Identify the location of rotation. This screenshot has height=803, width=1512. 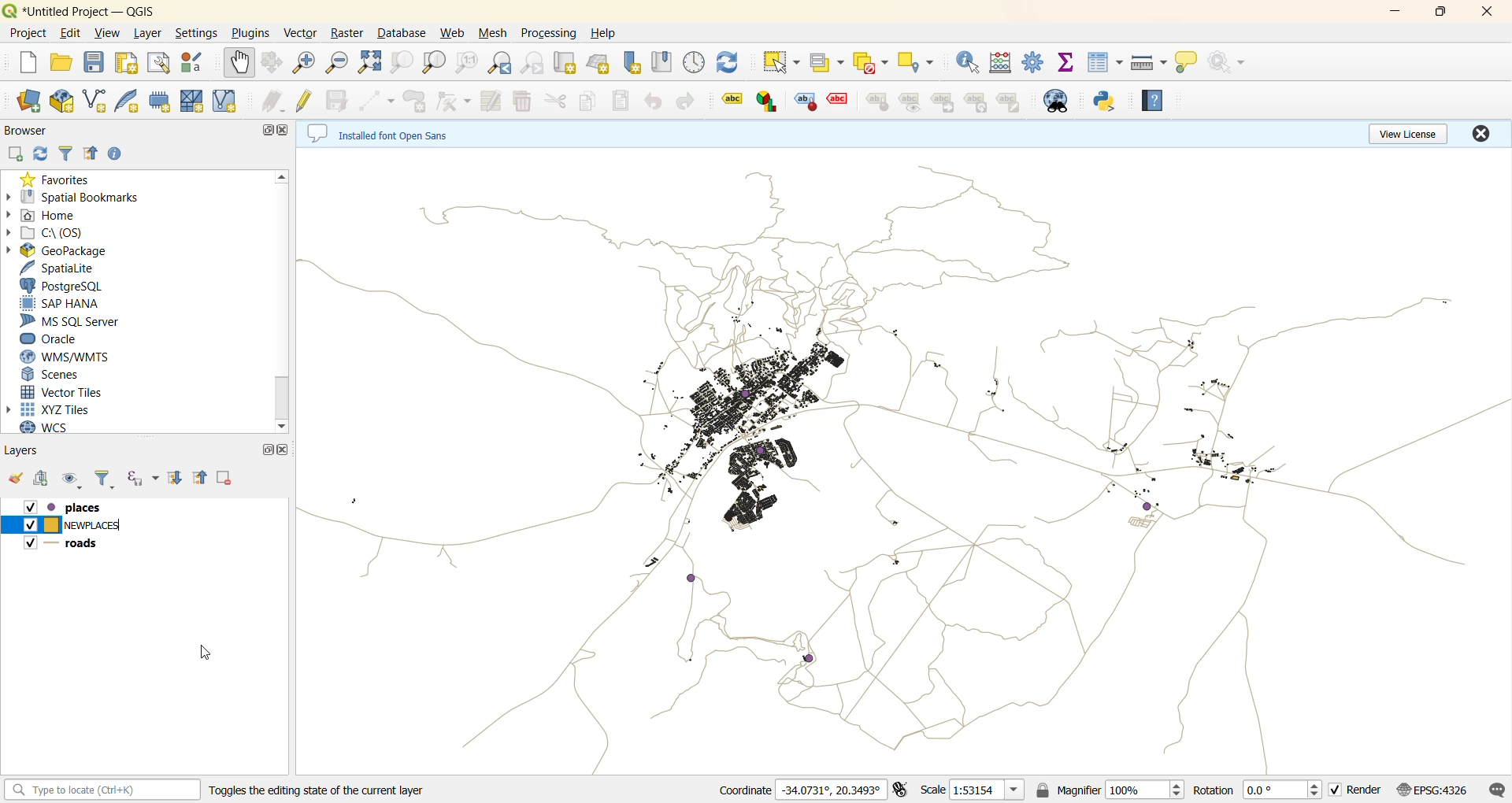
(1257, 792).